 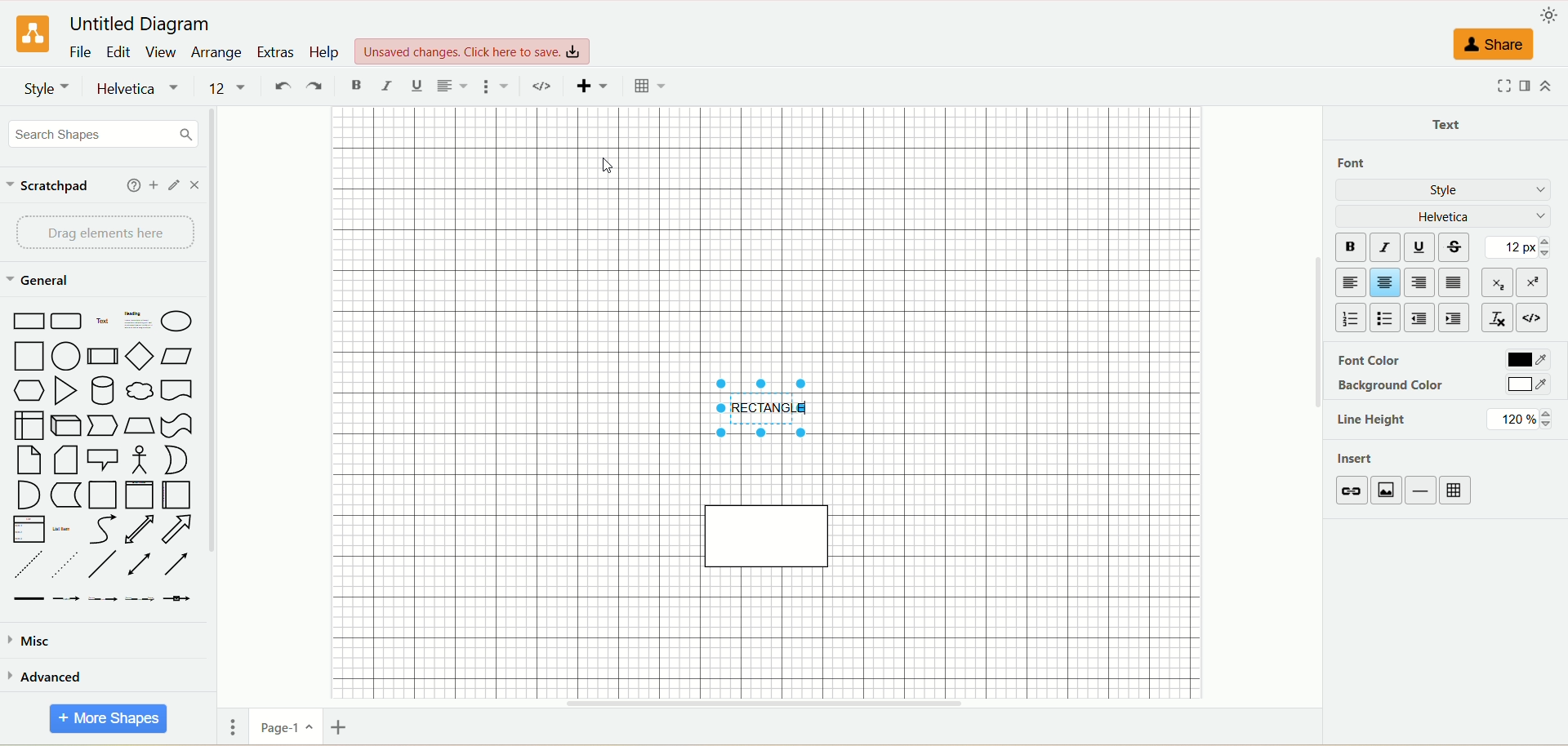 I want to click on dotted line, so click(x=65, y=564).